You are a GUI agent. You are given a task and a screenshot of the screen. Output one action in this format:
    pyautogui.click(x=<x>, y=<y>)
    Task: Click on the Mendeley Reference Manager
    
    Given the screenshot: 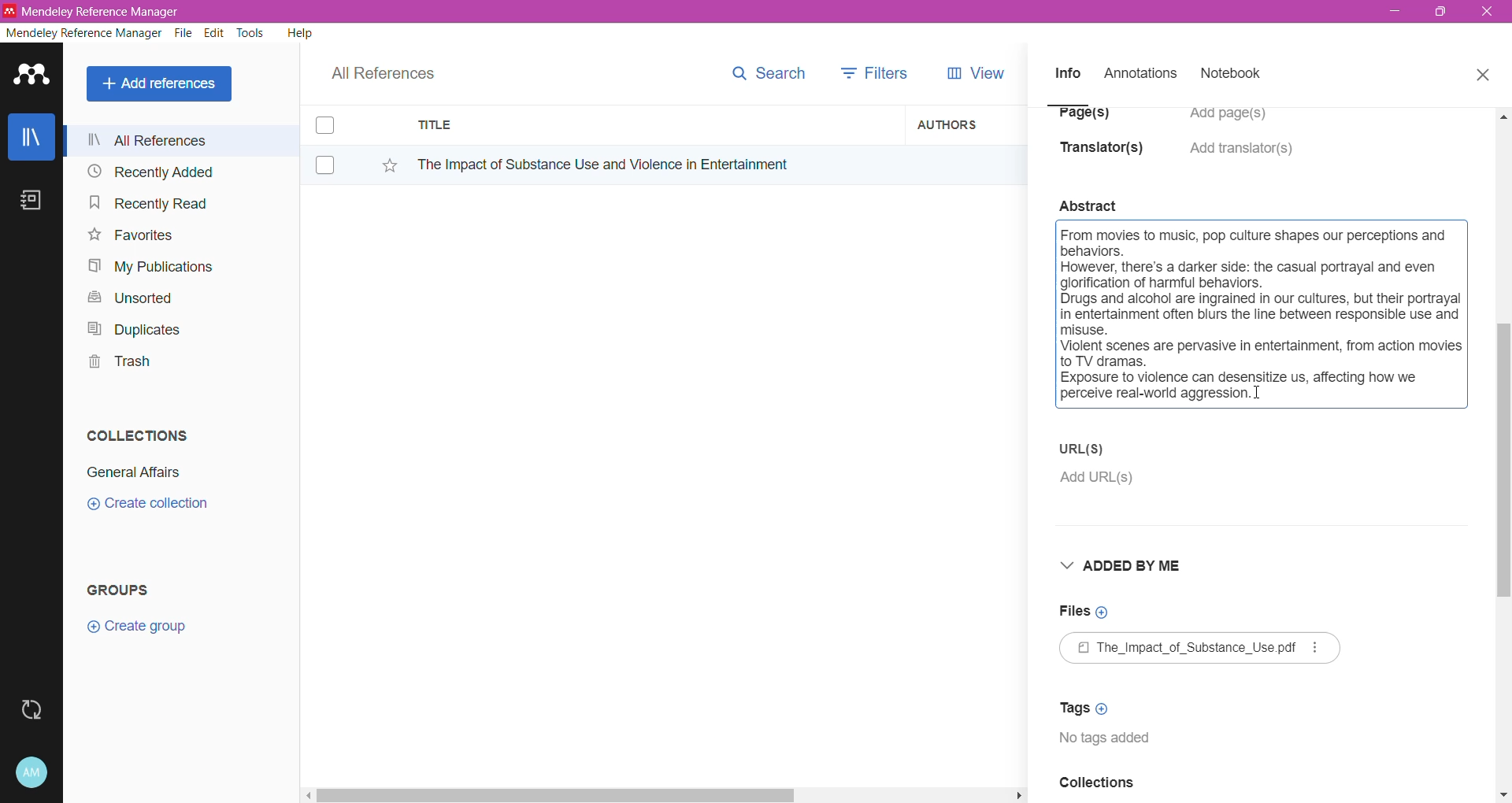 What is the action you would take?
    pyautogui.click(x=84, y=33)
    